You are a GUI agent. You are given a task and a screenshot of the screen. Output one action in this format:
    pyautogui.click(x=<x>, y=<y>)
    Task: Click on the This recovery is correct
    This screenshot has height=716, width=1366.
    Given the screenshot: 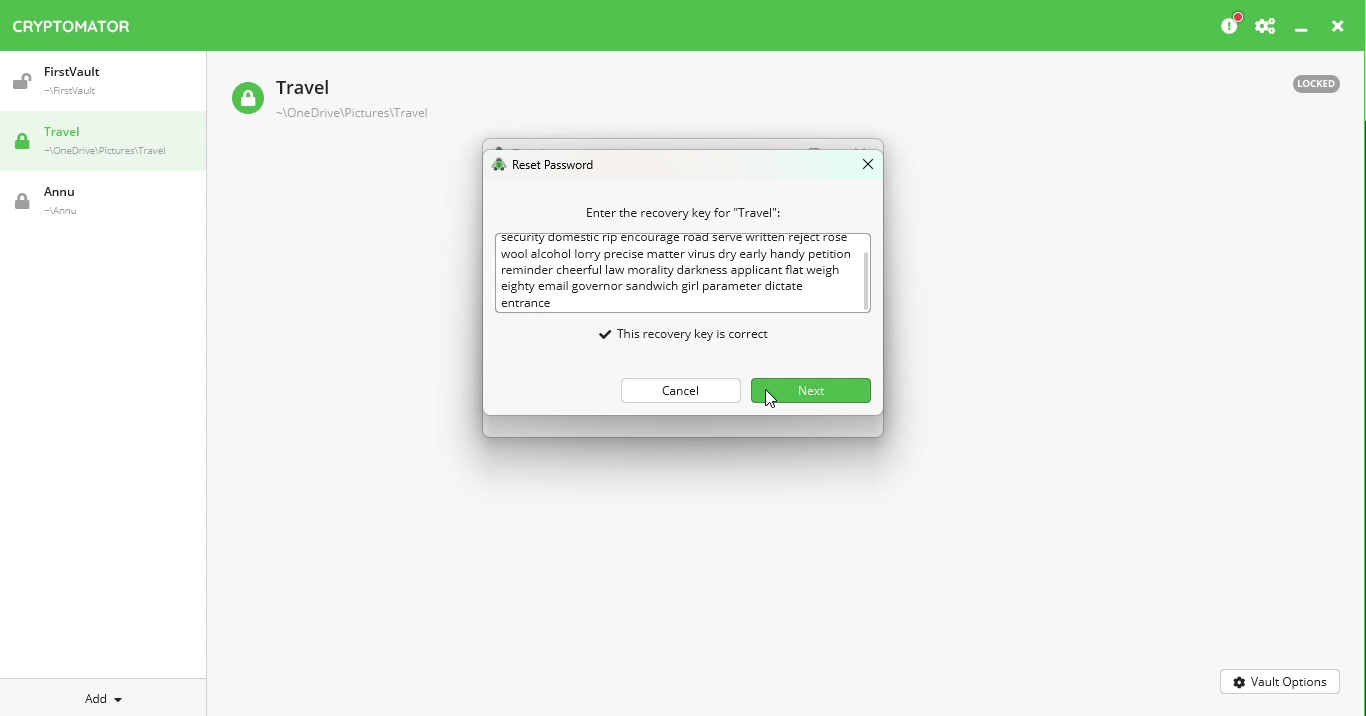 What is the action you would take?
    pyautogui.click(x=653, y=331)
    